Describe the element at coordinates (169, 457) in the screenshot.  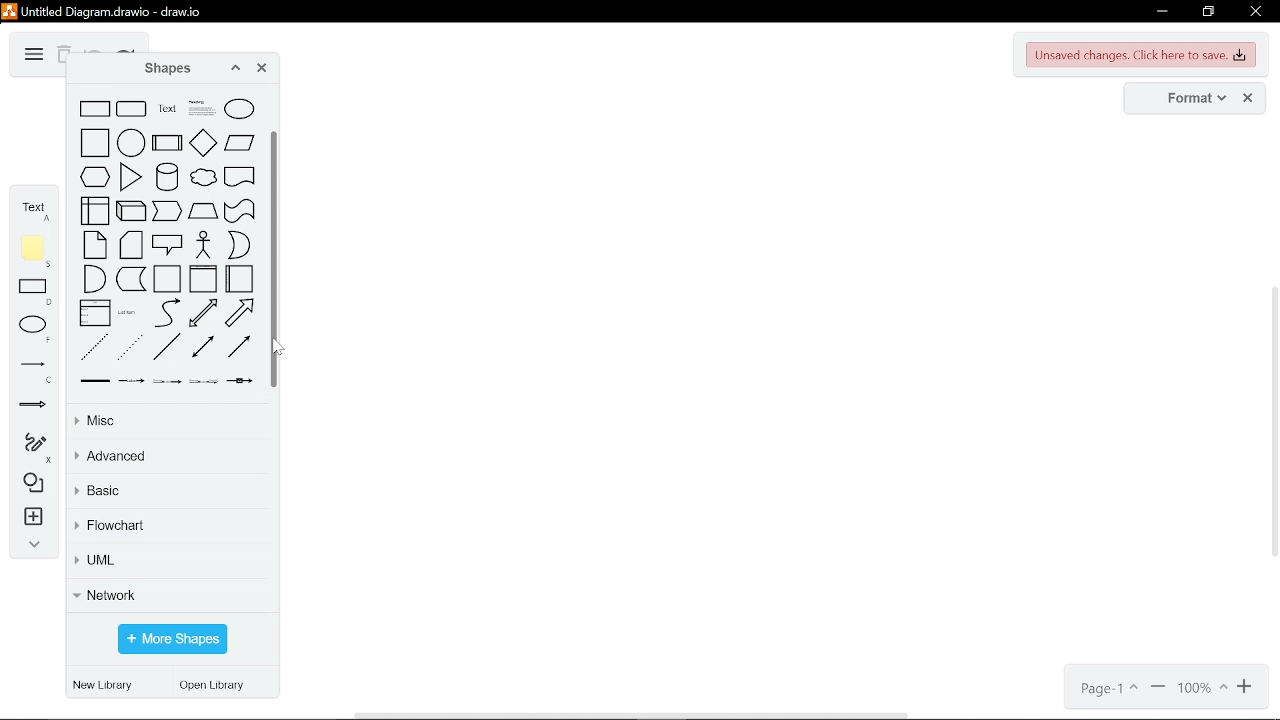
I see `Advanced` at that location.